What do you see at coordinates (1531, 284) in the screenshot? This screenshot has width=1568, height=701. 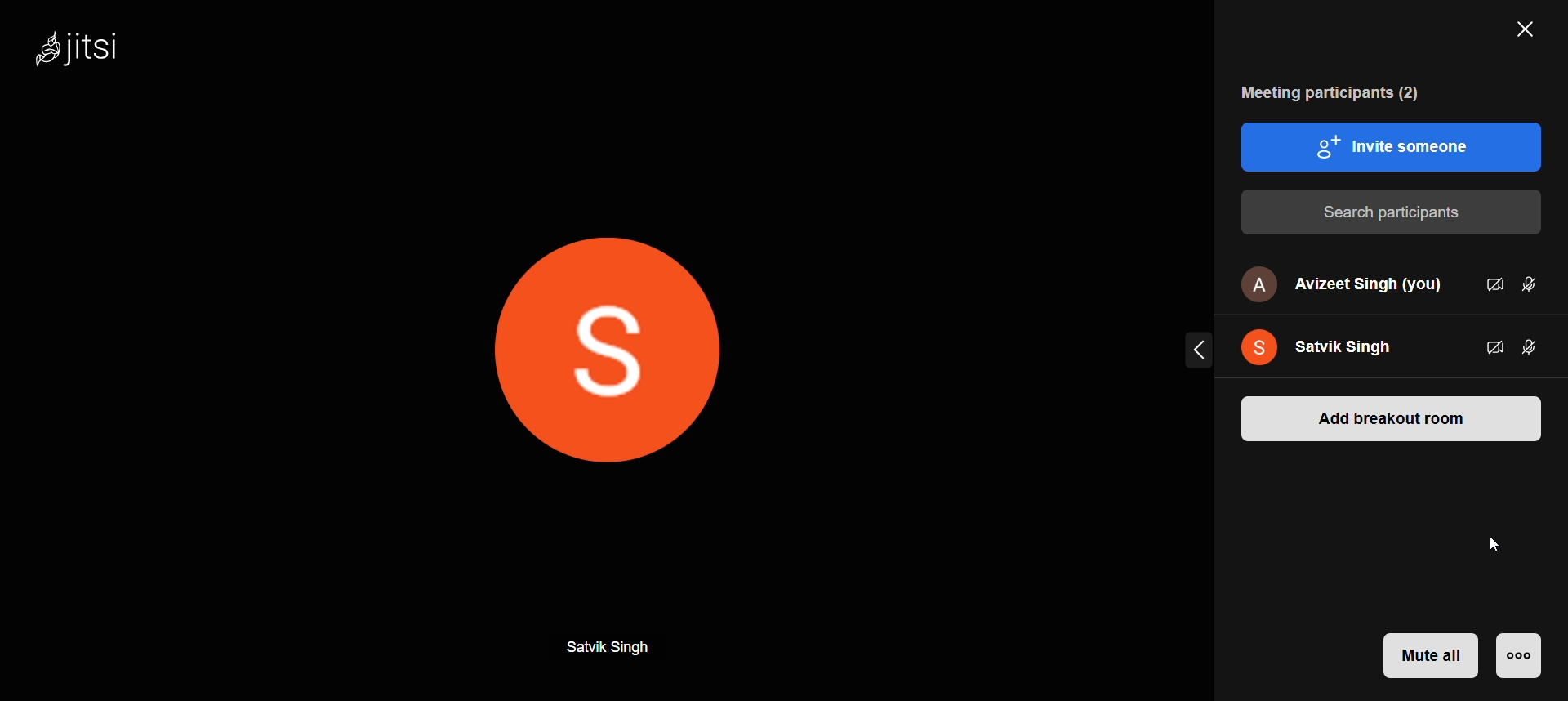 I see `mic status` at bounding box center [1531, 284].